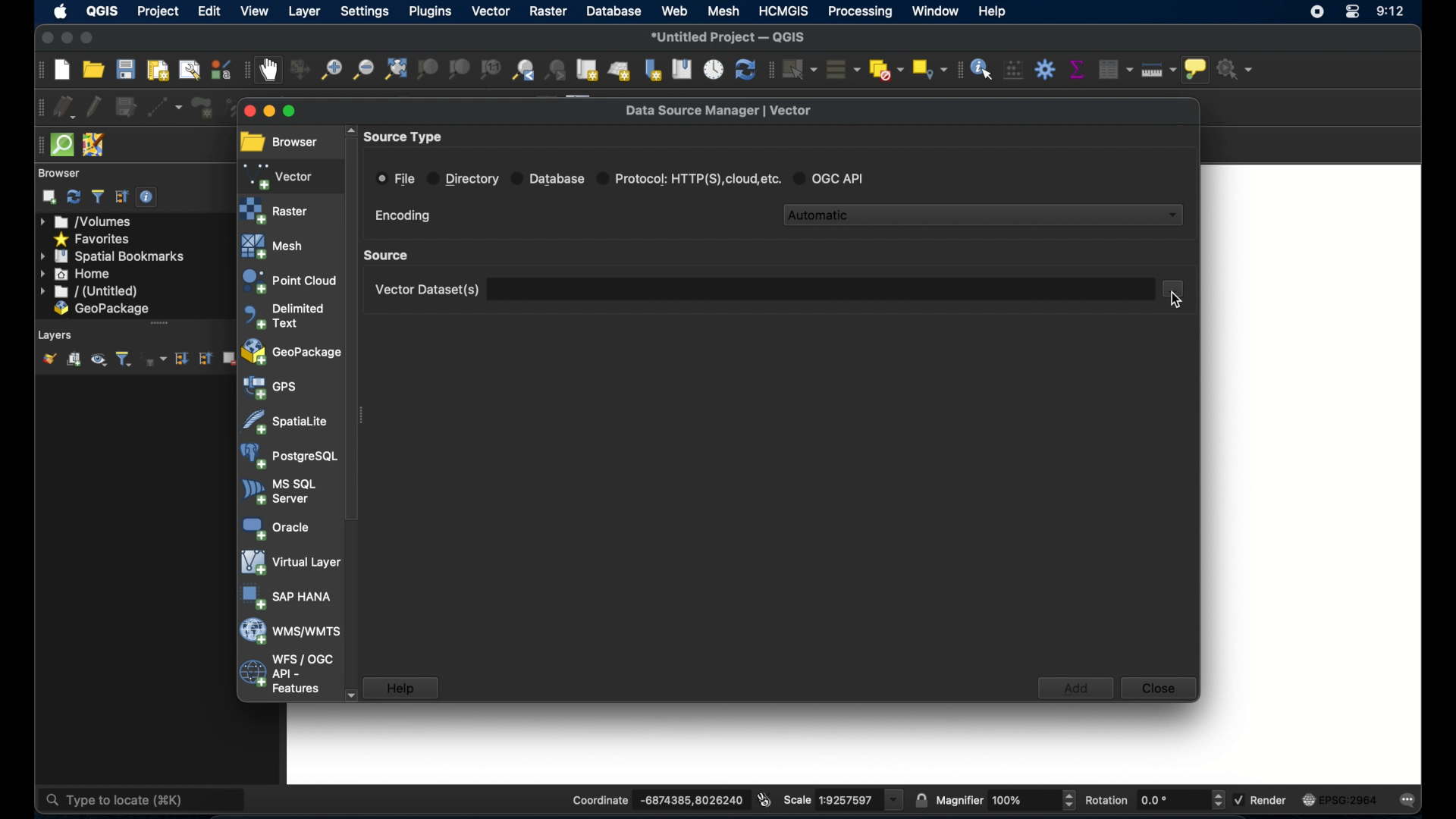  What do you see at coordinates (1075, 688) in the screenshot?
I see `add` at bounding box center [1075, 688].